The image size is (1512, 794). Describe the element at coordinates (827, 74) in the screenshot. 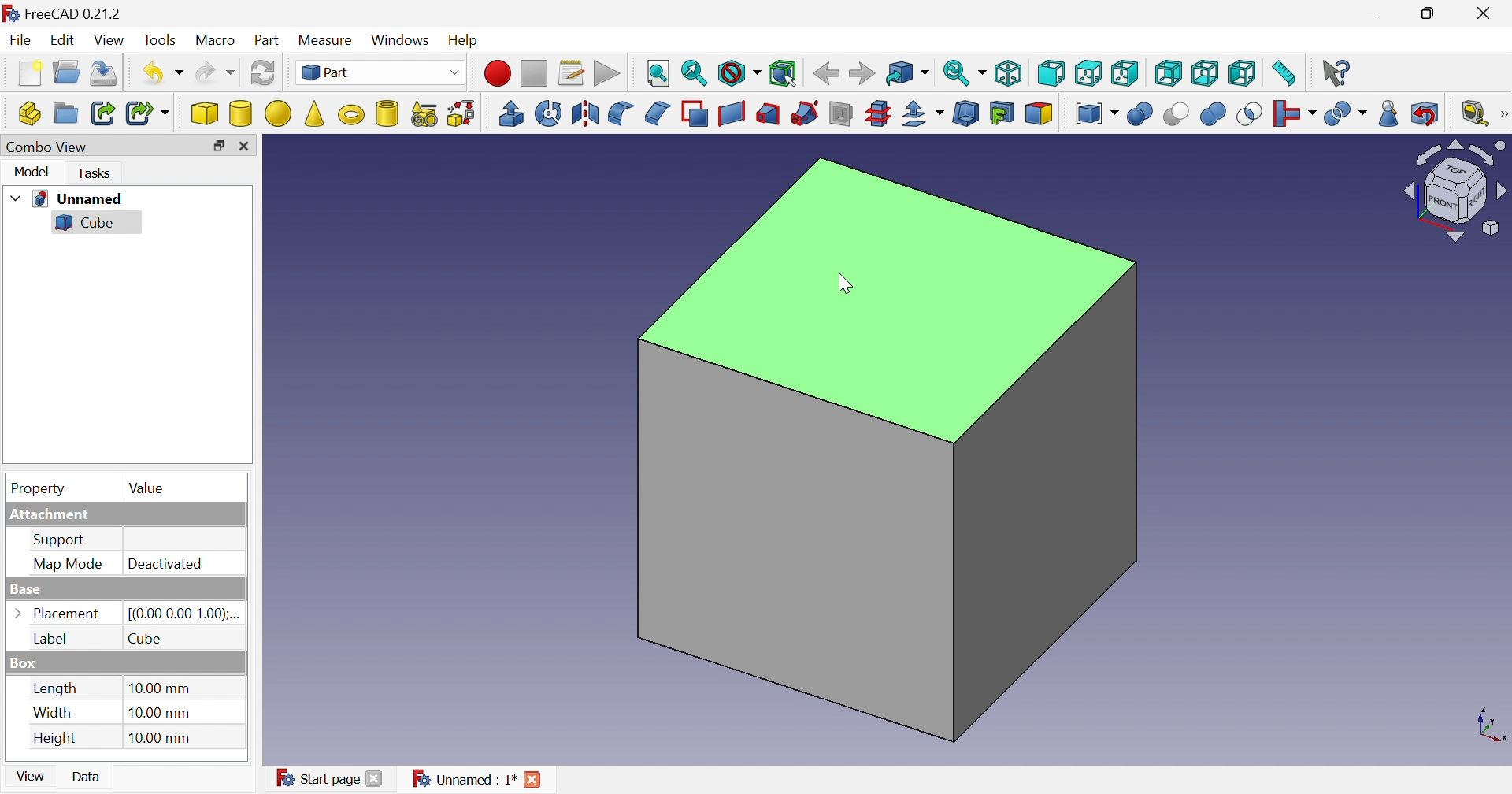

I see `Back` at that location.